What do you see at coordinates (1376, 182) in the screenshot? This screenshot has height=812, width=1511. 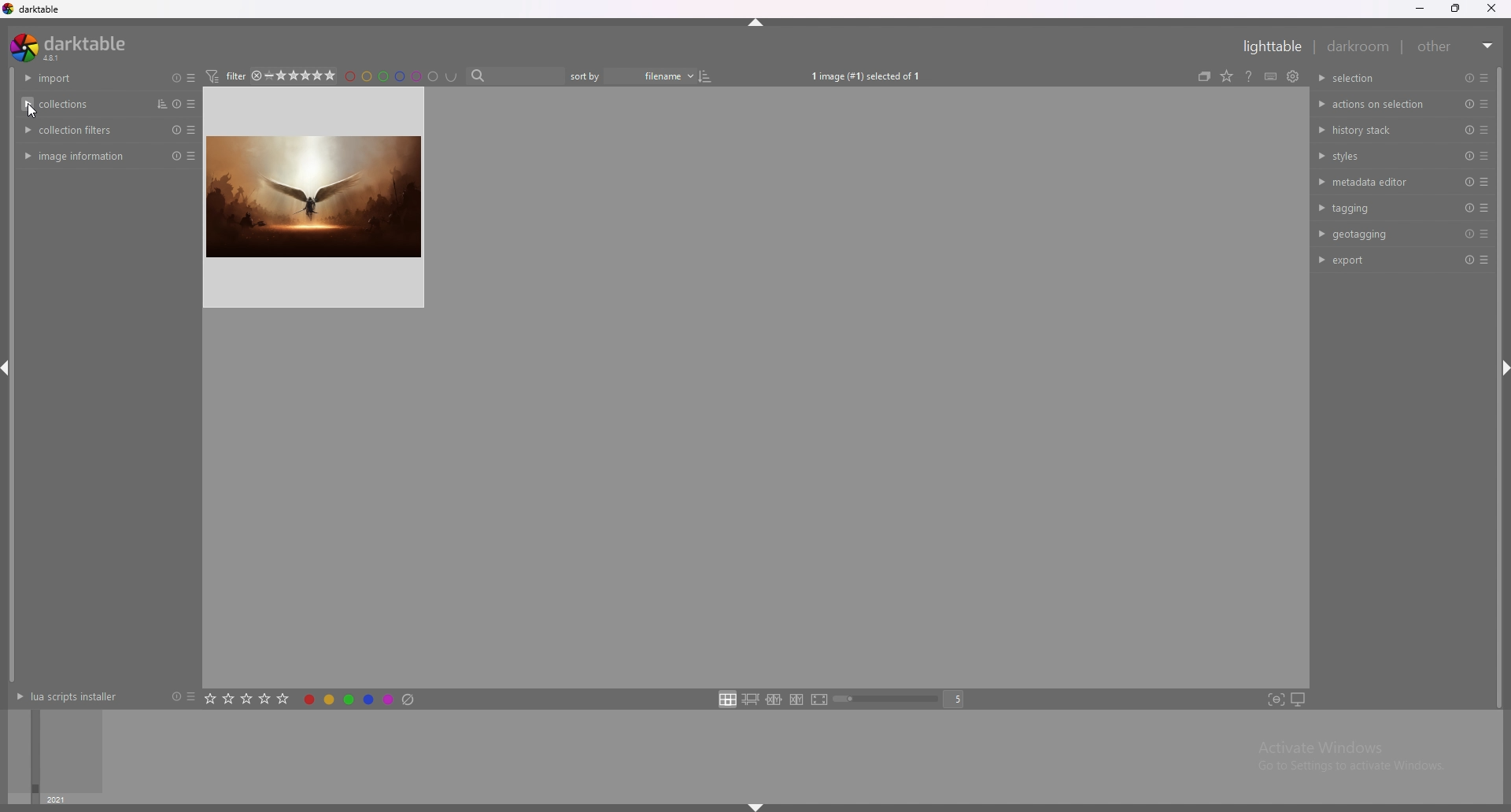 I see `metadata editor` at bounding box center [1376, 182].